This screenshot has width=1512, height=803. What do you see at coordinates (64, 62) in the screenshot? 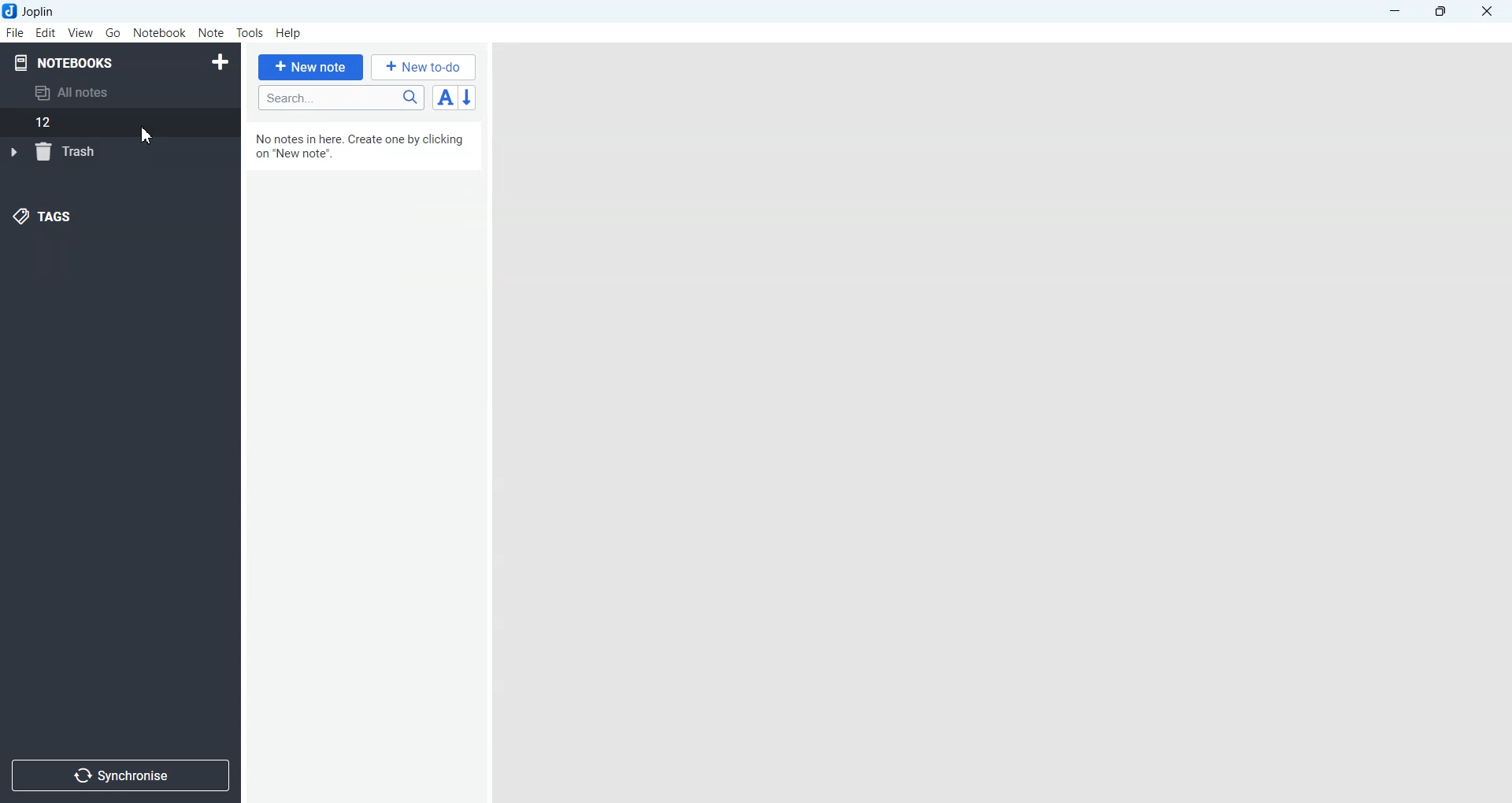
I see `Notebooks` at bounding box center [64, 62].